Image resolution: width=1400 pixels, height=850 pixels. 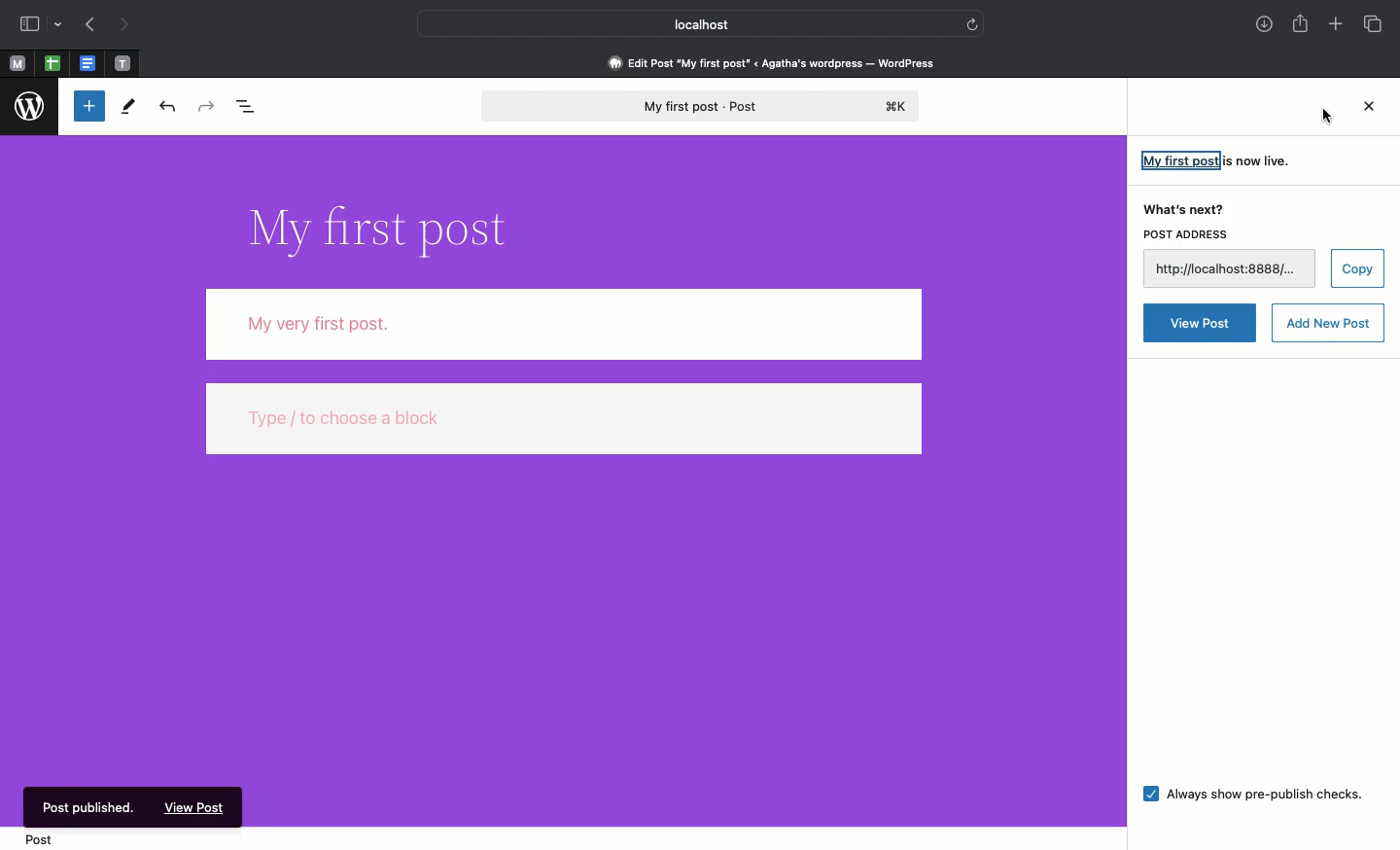 I want to click on Post published, so click(x=93, y=805).